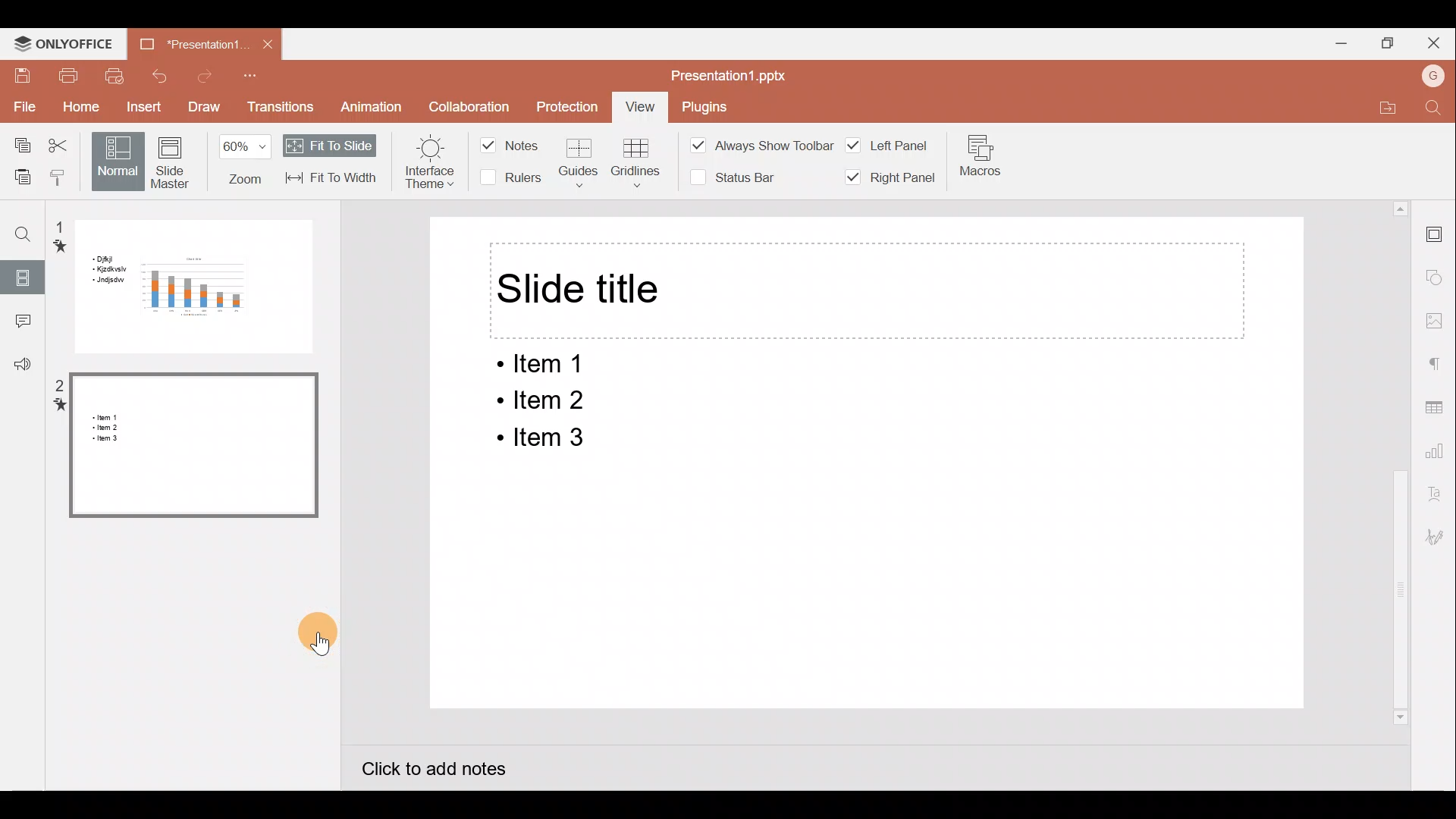 The image size is (1456, 819). I want to click on Paragraph settings, so click(1439, 362).